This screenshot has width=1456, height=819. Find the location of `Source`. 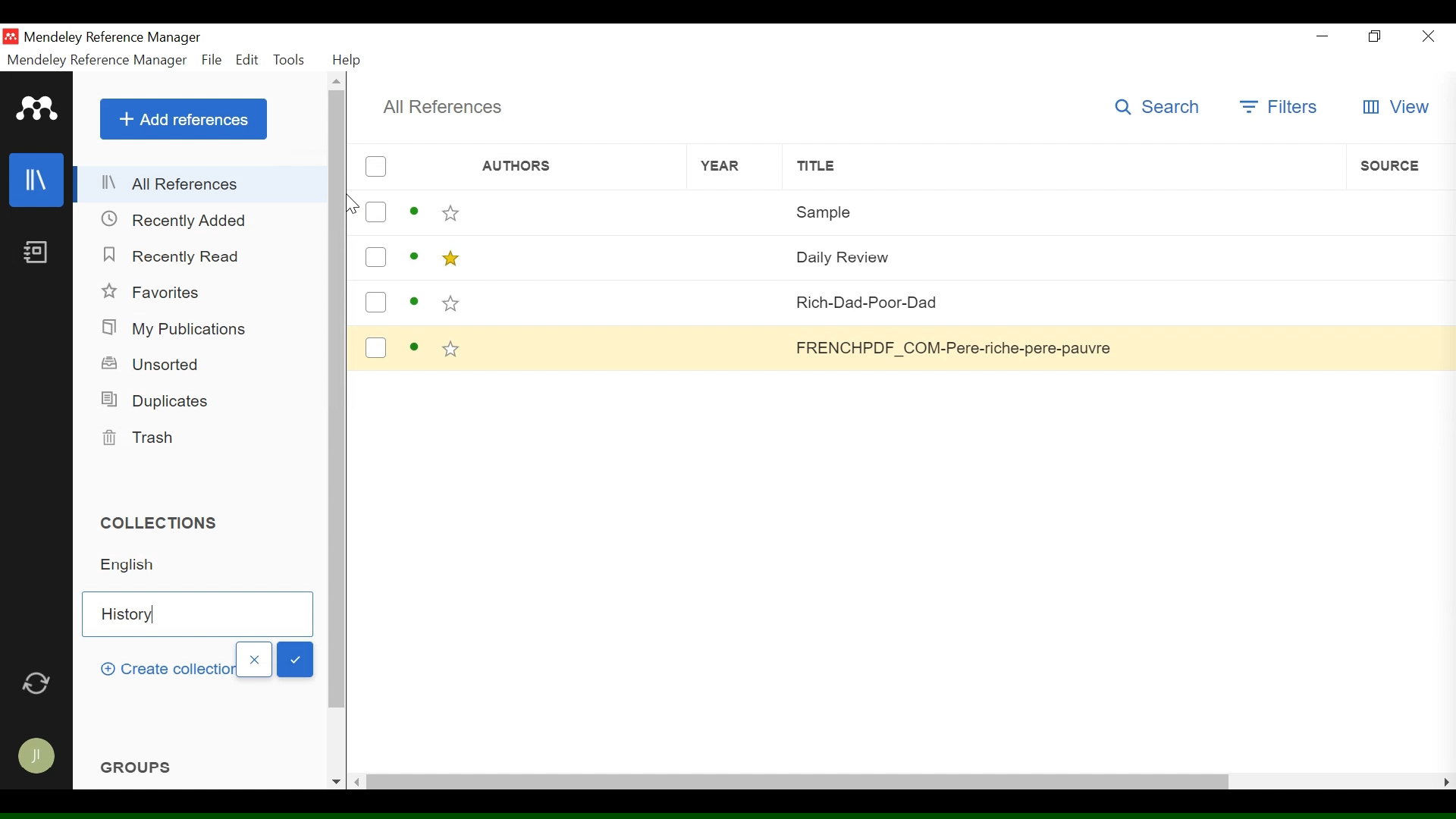

Source is located at coordinates (1396, 257).